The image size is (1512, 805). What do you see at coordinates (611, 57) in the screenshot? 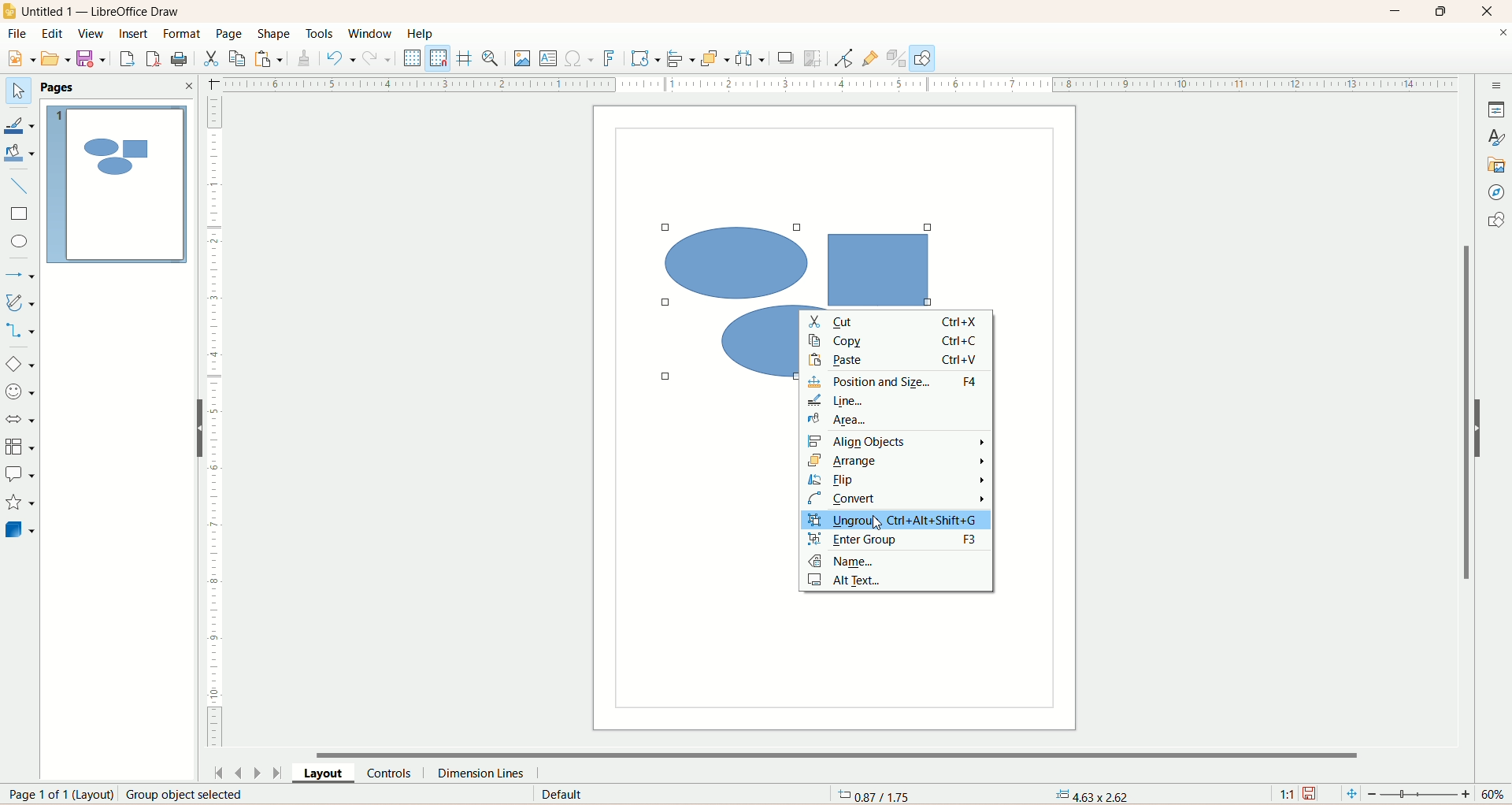
I see `fontwork text` at bounding box center [611, 57].